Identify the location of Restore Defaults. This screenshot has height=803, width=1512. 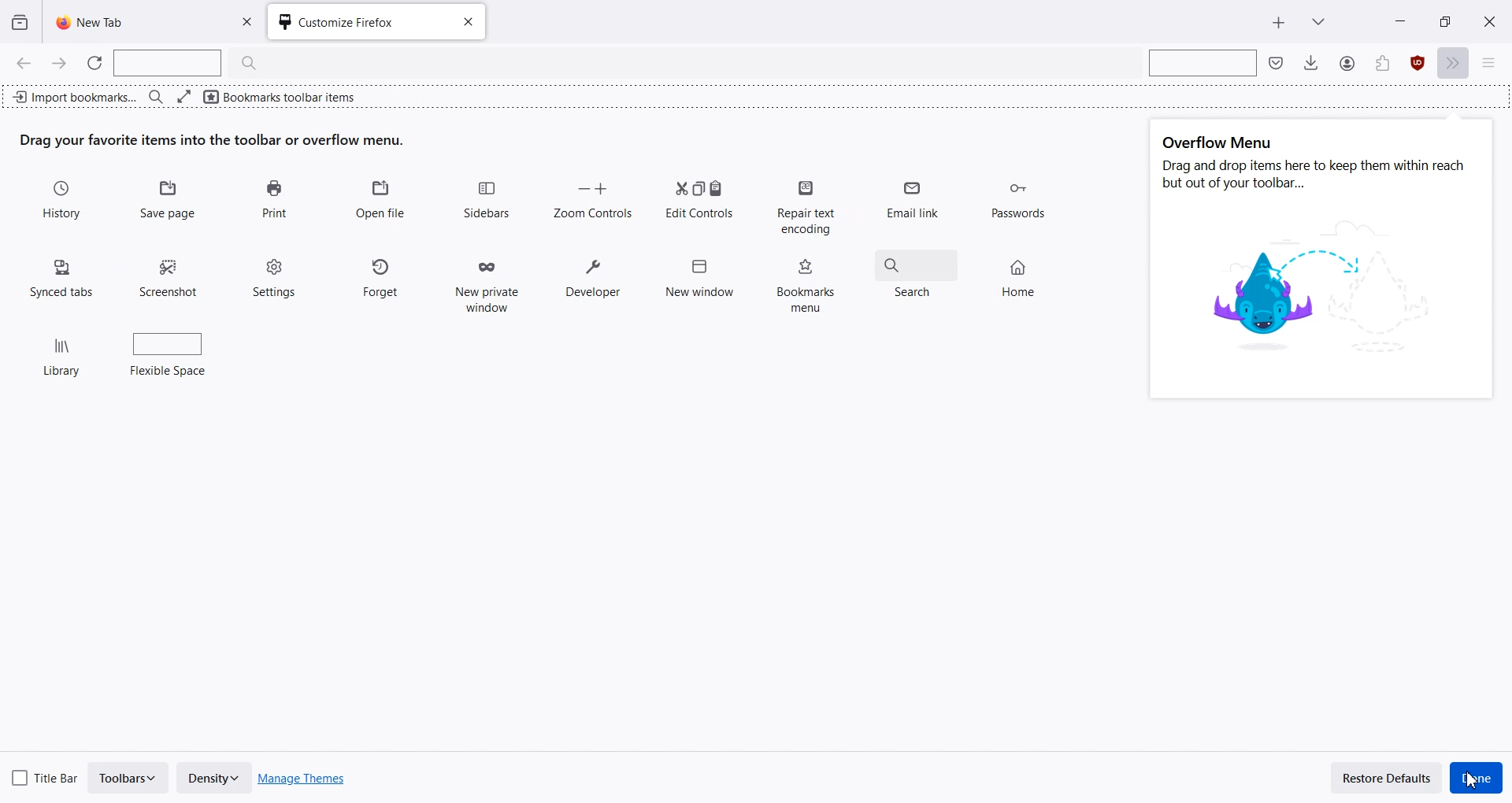
(1387, 777).